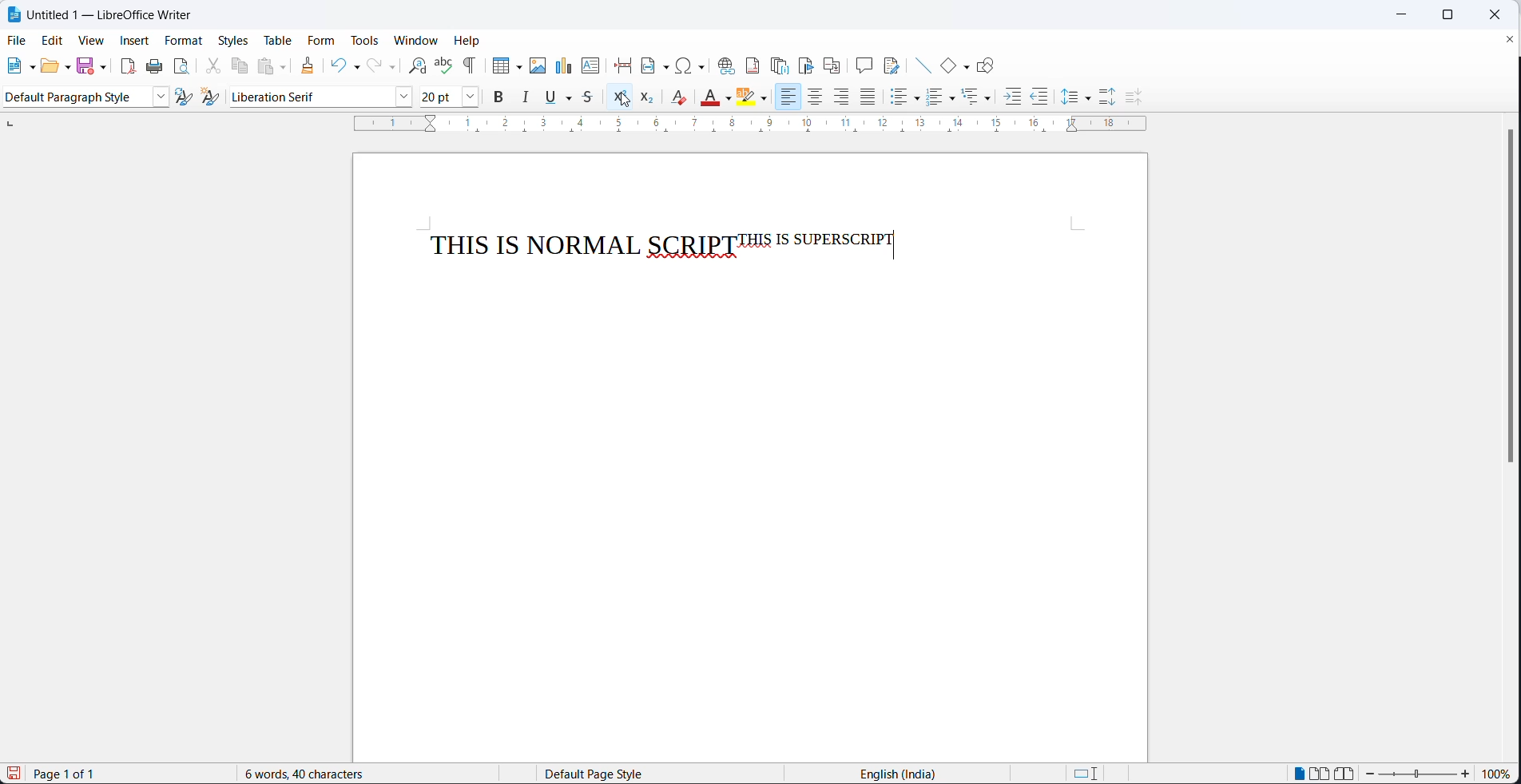  Describe the element at coordinates (77, 774) in the screenshot. I see `current page` at that location.